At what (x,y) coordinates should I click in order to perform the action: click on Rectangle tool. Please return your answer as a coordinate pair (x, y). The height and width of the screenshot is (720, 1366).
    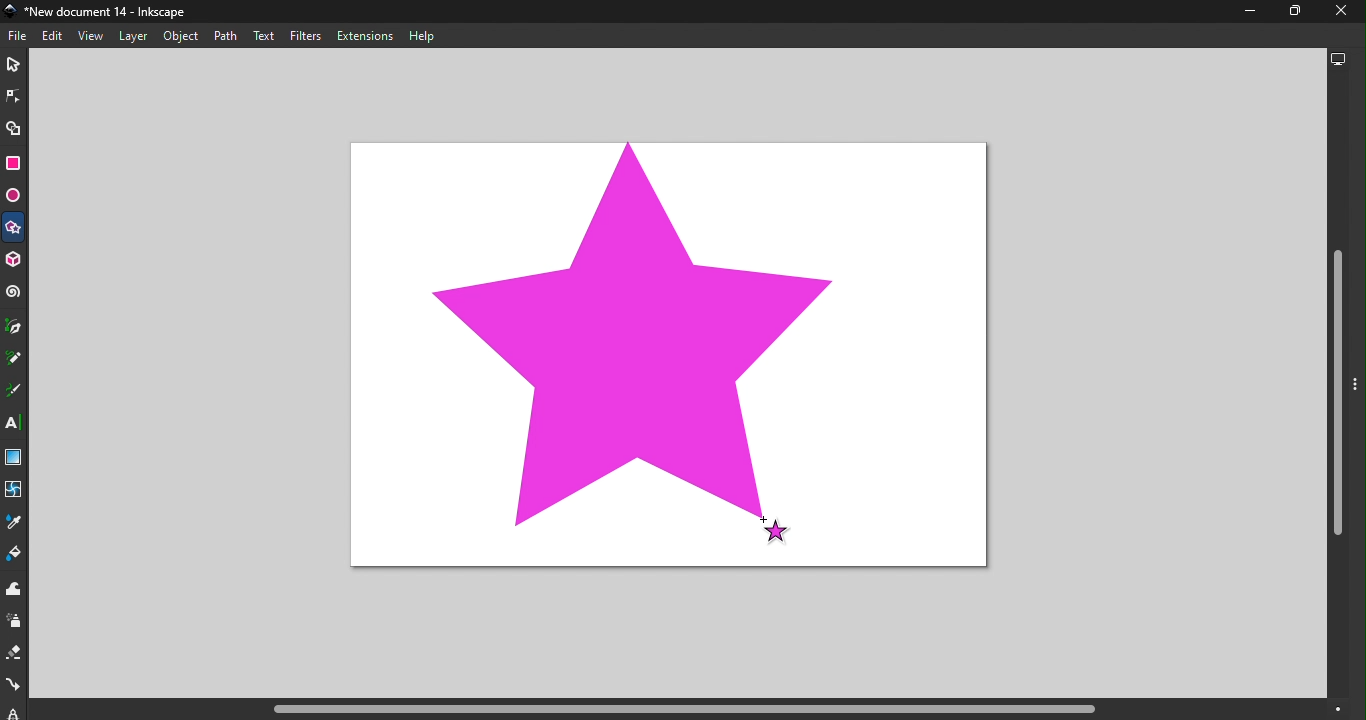
    Looking at the image, I should click on (13, 165).